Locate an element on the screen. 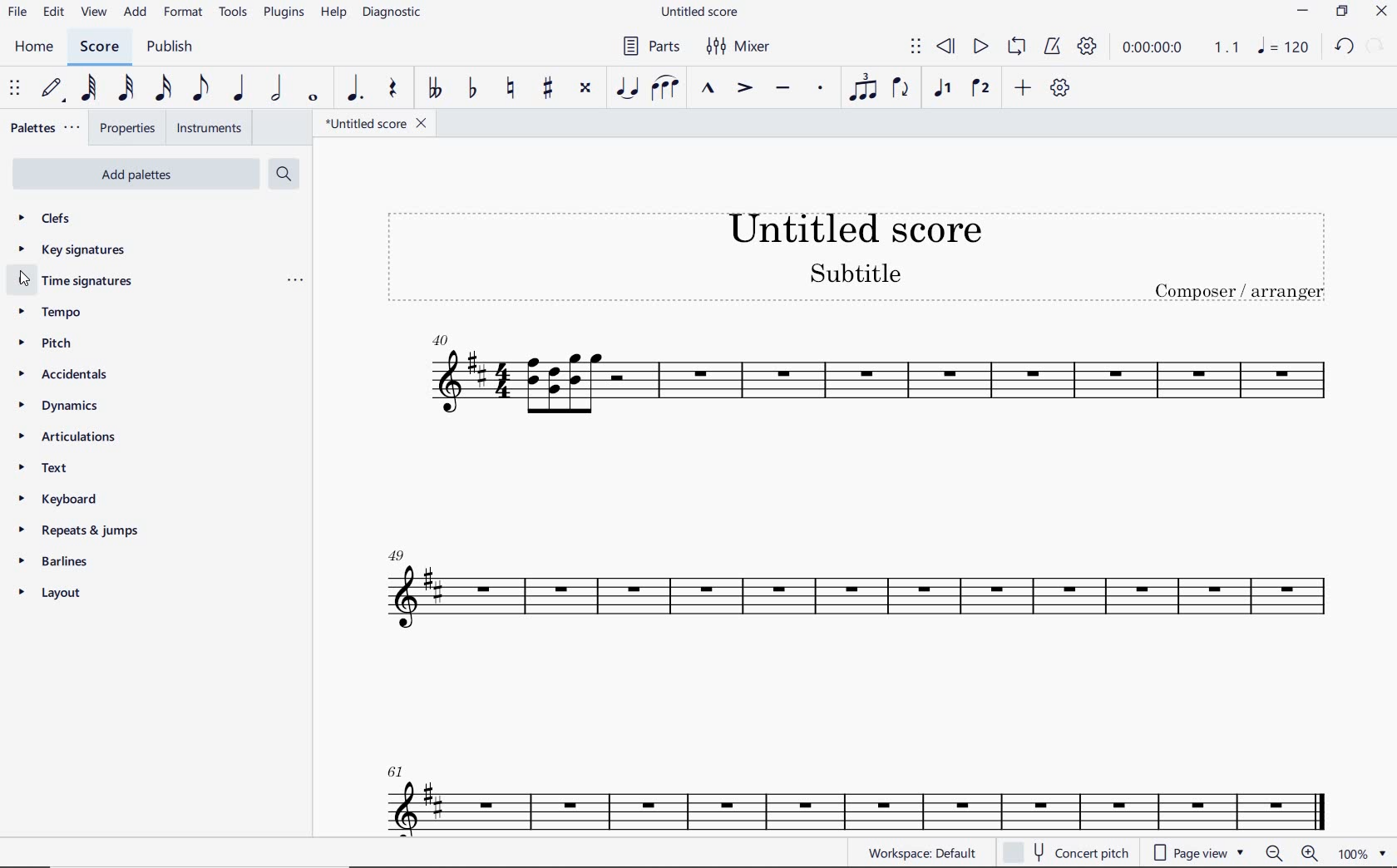 The image size is (1397, 868). CLOSE is located at coordinates (1381, 12).